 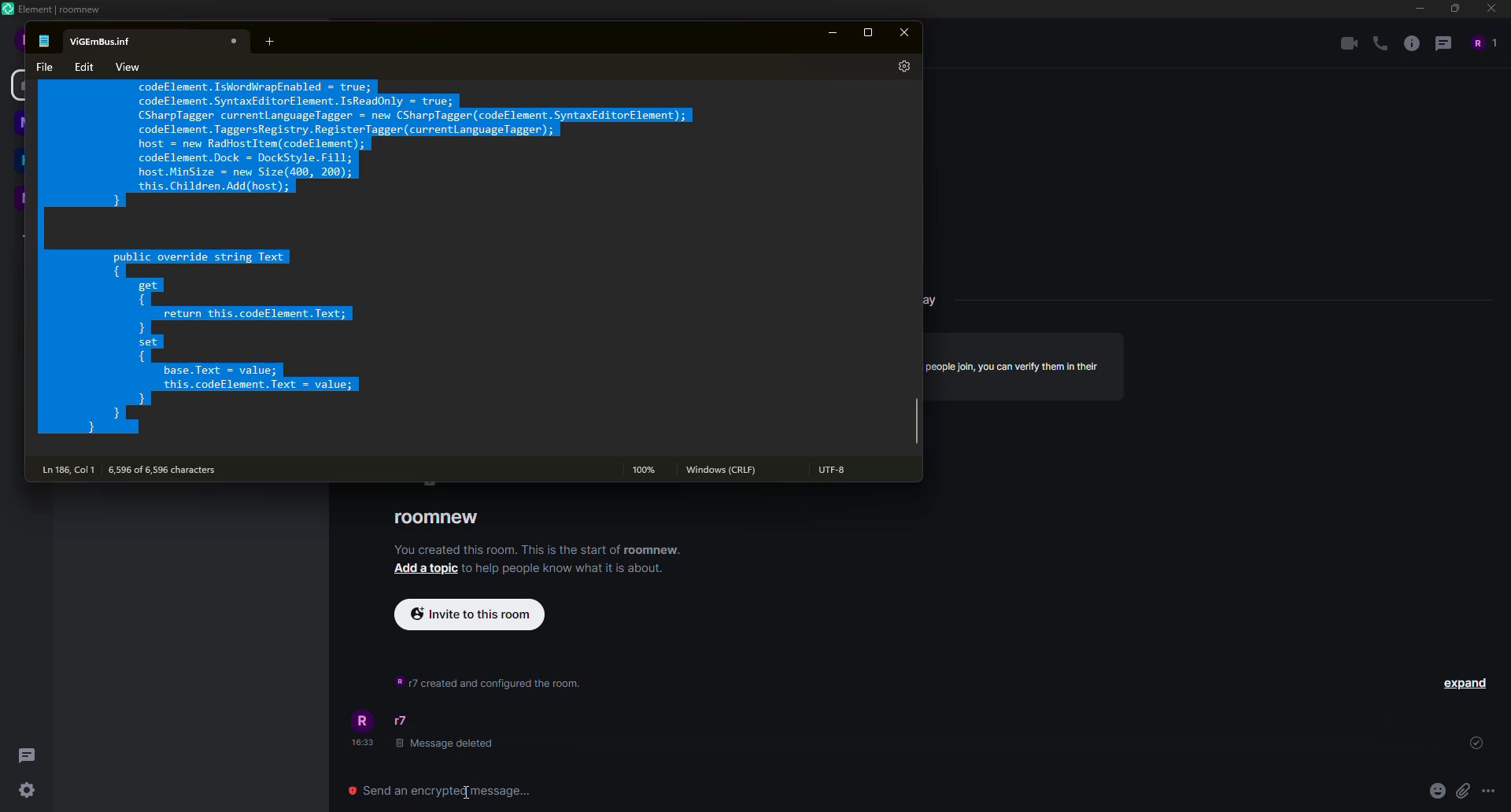 I want to click on add, so click(x=266, y=41).